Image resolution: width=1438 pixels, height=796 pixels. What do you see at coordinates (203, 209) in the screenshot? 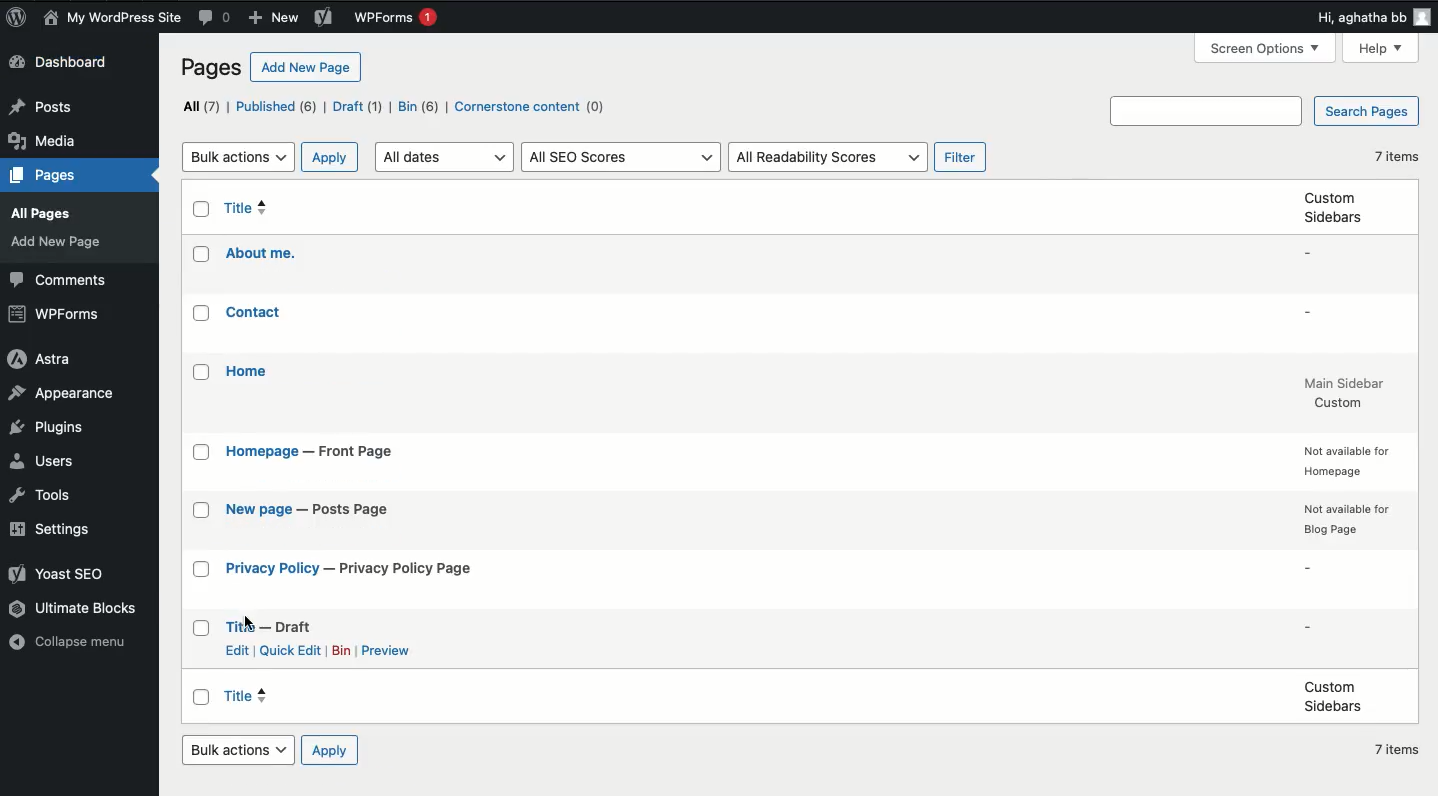
I see `Checkbox` at bounding box center [203, 209].